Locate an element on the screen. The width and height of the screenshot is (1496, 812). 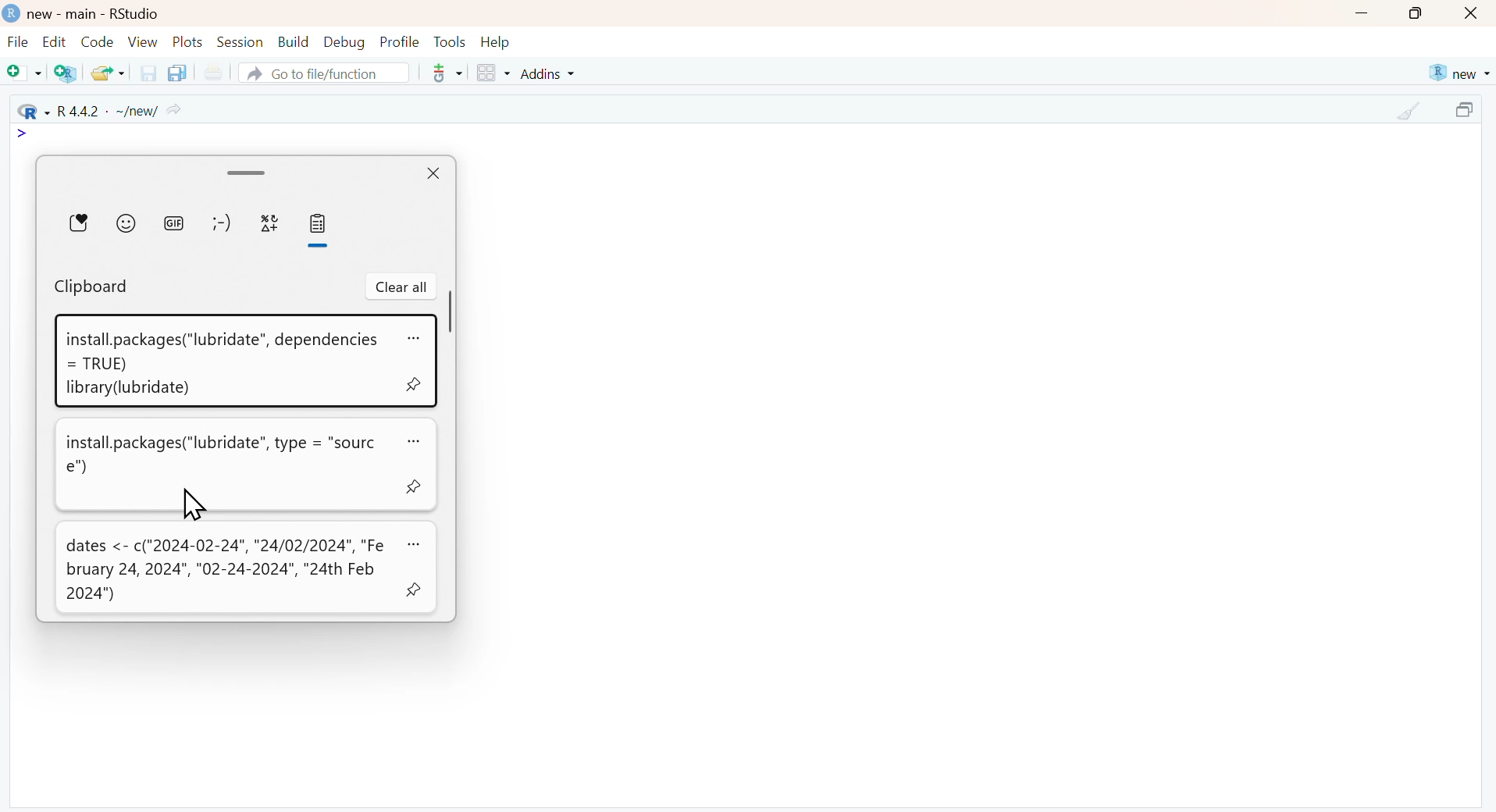
scroll bar is located at coordinates (452, 312).